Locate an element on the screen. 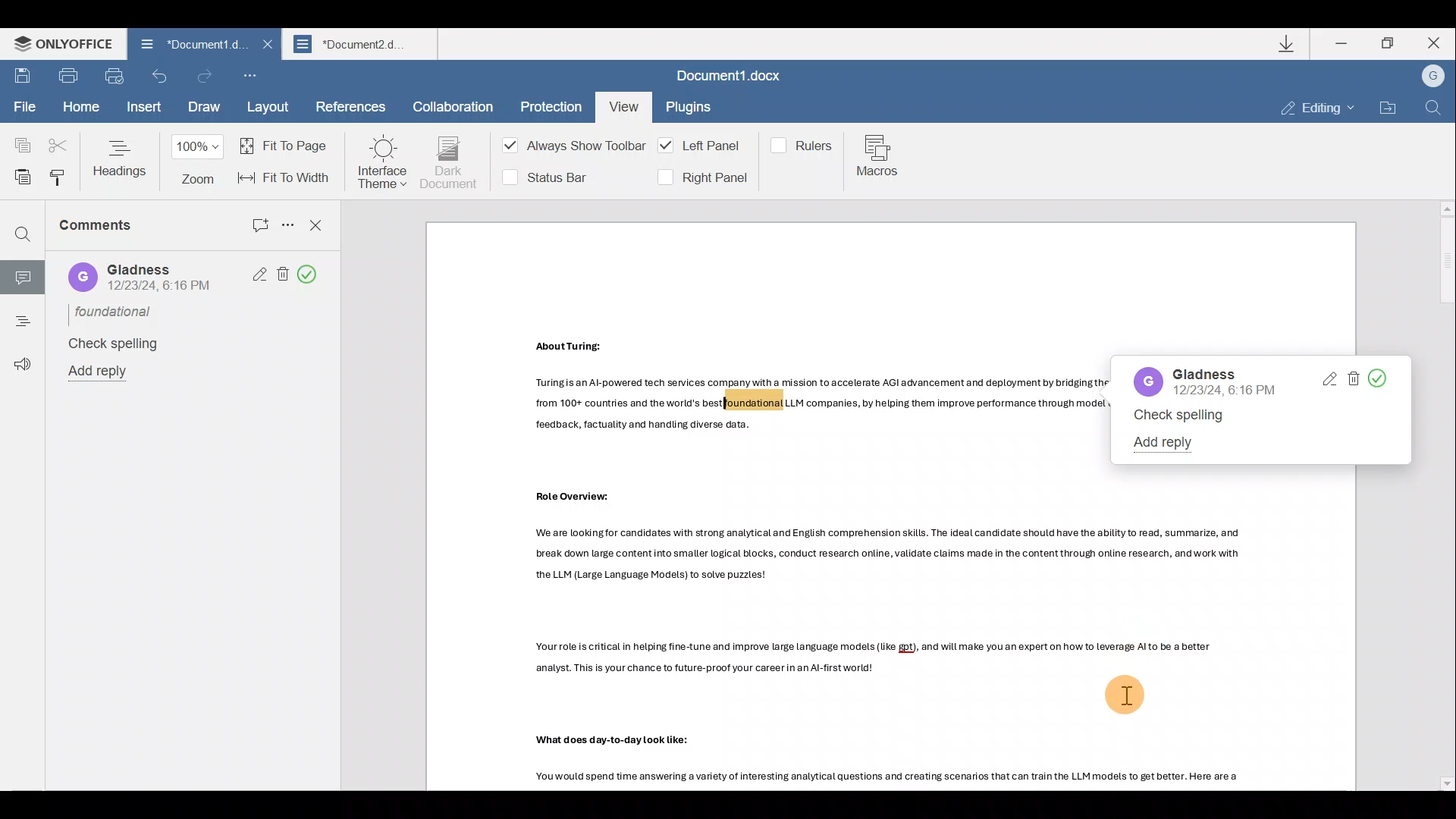 The width and height of the screenshot is (1456, 819). Resolve comment is located at coordinates (313, 275).